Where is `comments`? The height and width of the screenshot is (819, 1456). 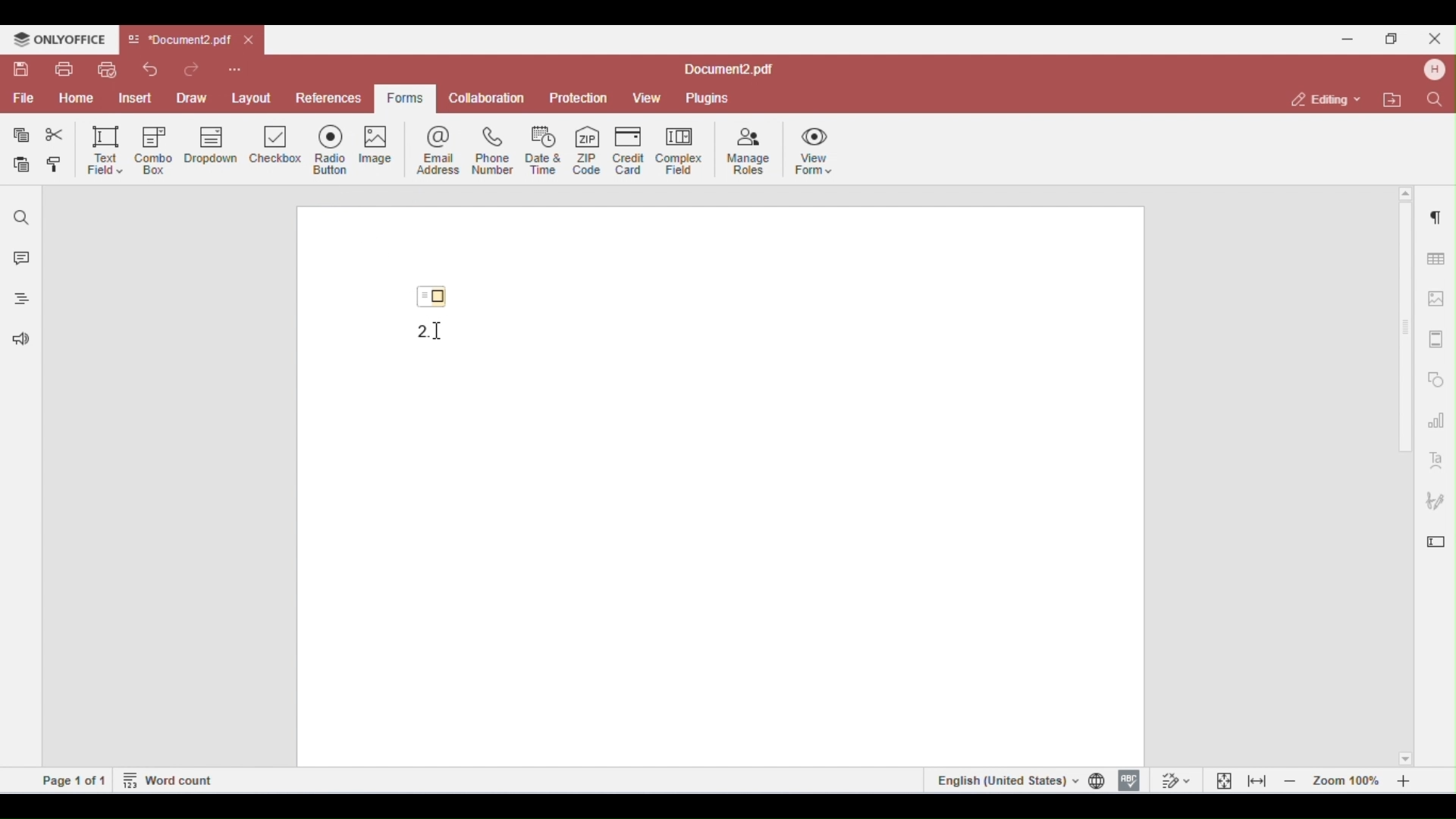 comments is located at coordinates (18, 260).